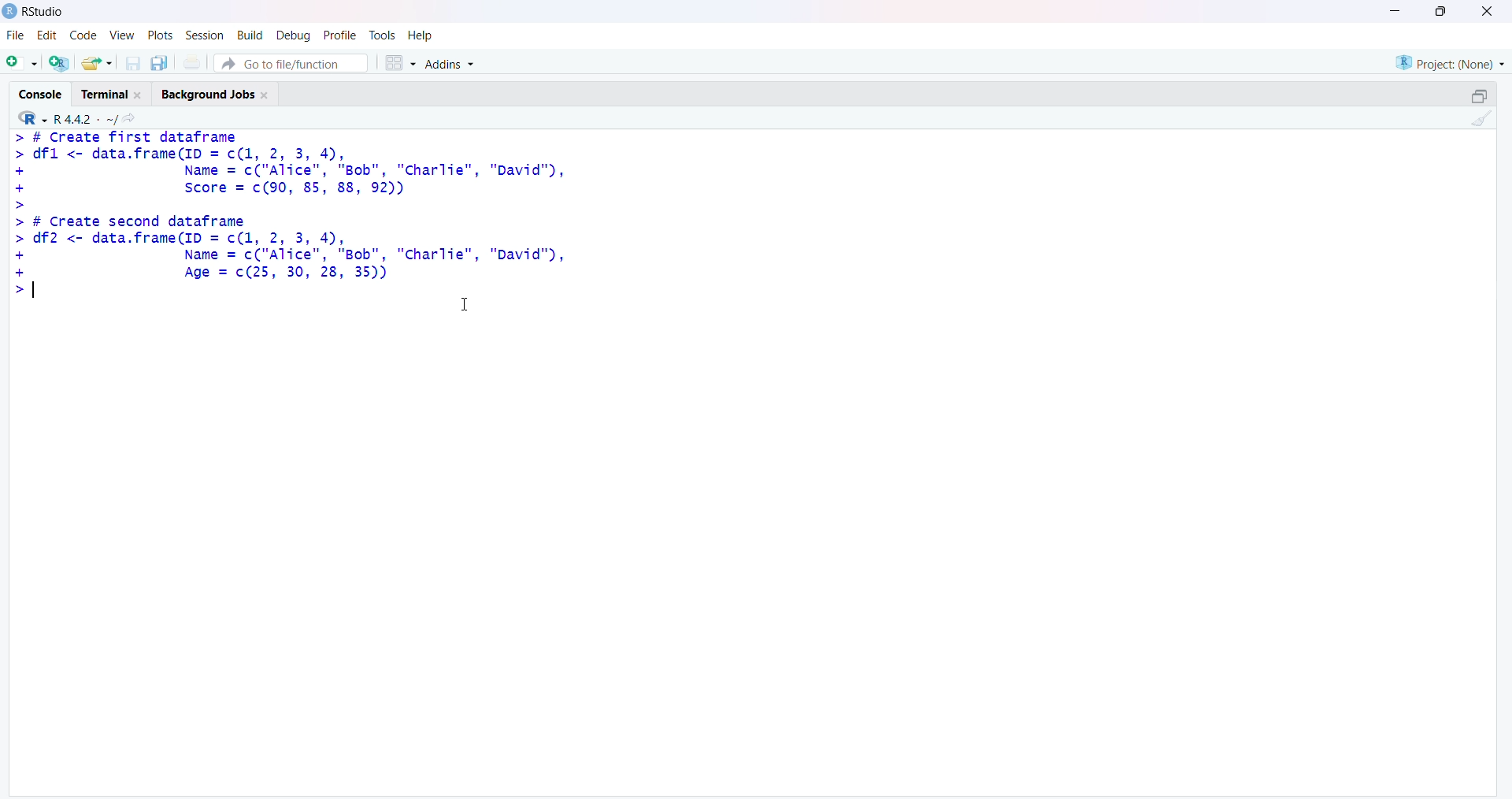  What do you see at coordinates (25, 62) in the screenshot?
I see `add file as` at bounding box center [25, 62].